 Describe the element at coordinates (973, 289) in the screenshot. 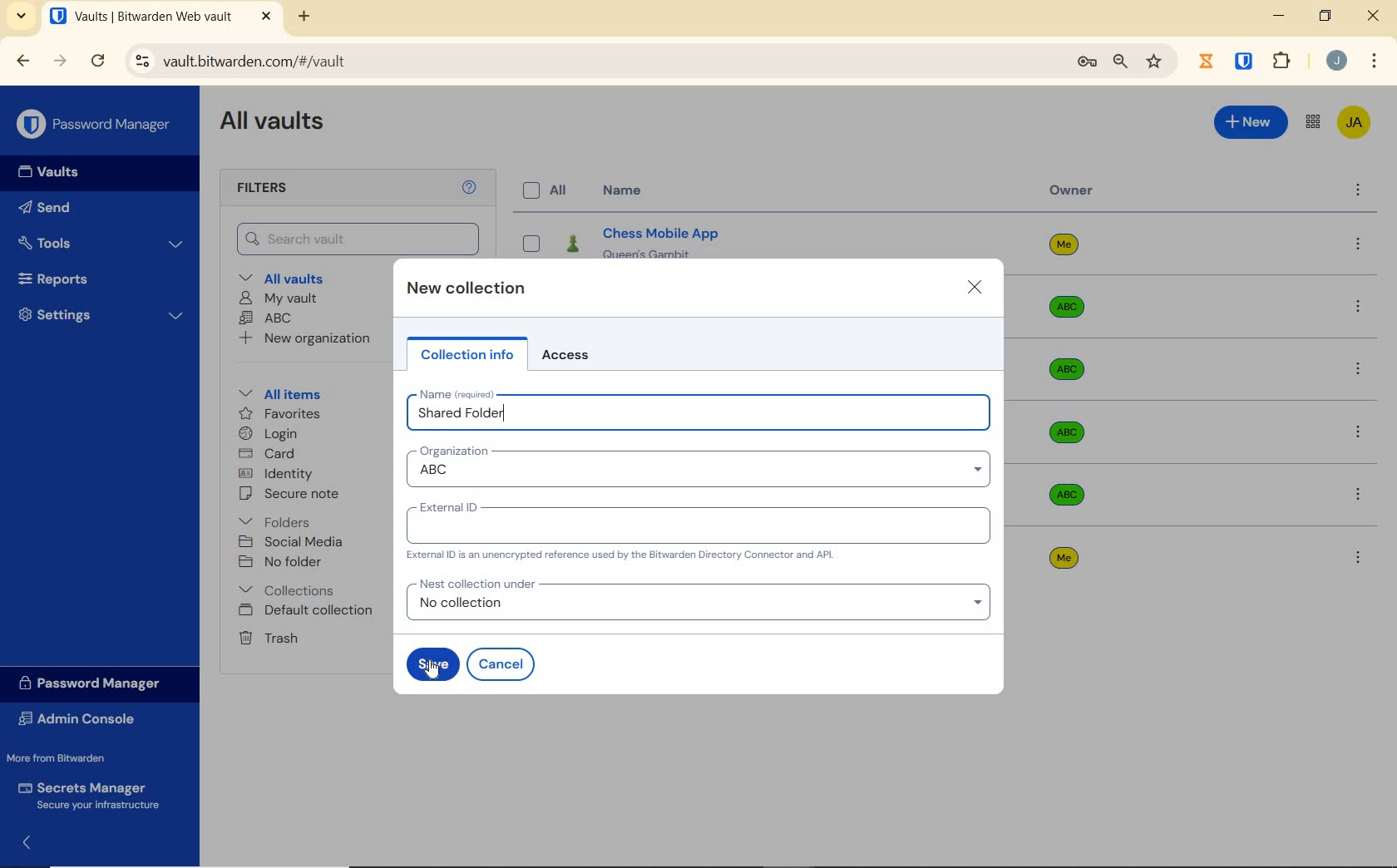

I see `close` at that location.